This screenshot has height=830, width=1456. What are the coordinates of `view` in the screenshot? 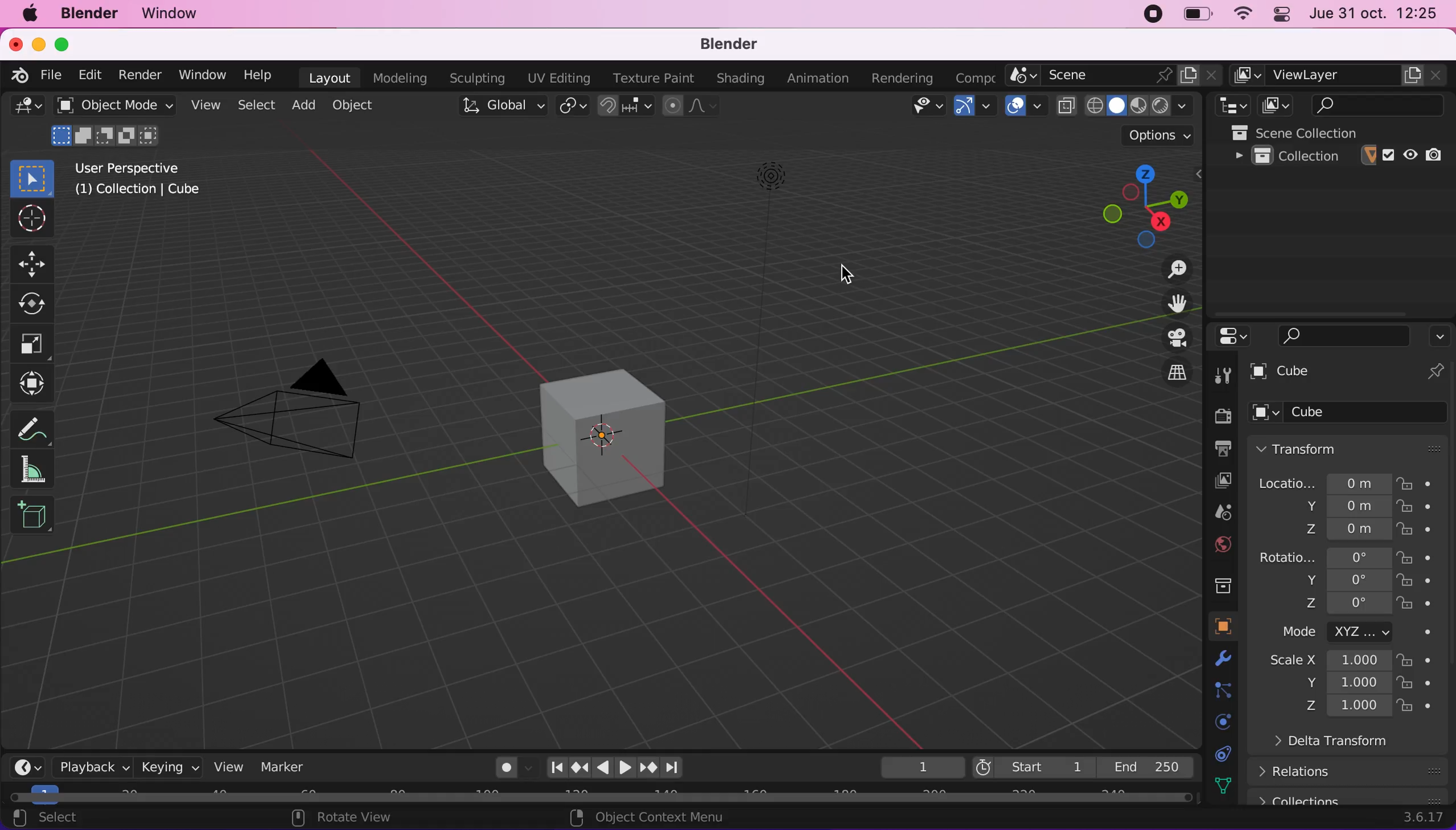 It's located at (227, 765).